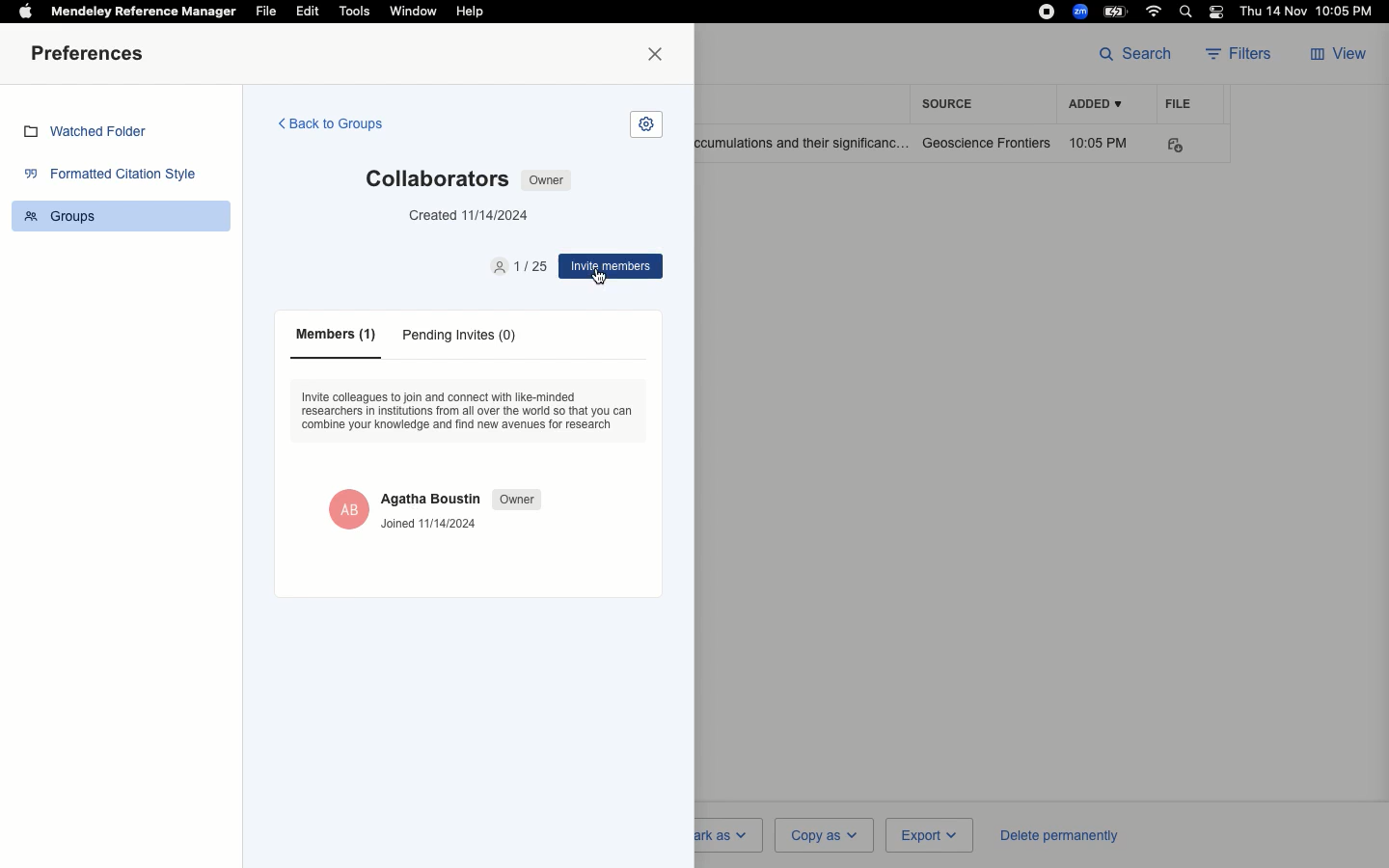 This screenshot has width=1389, height=868. Describe the element at coordinates (116, 176) in the screenshot. I see `Formatted citation style` at that location.